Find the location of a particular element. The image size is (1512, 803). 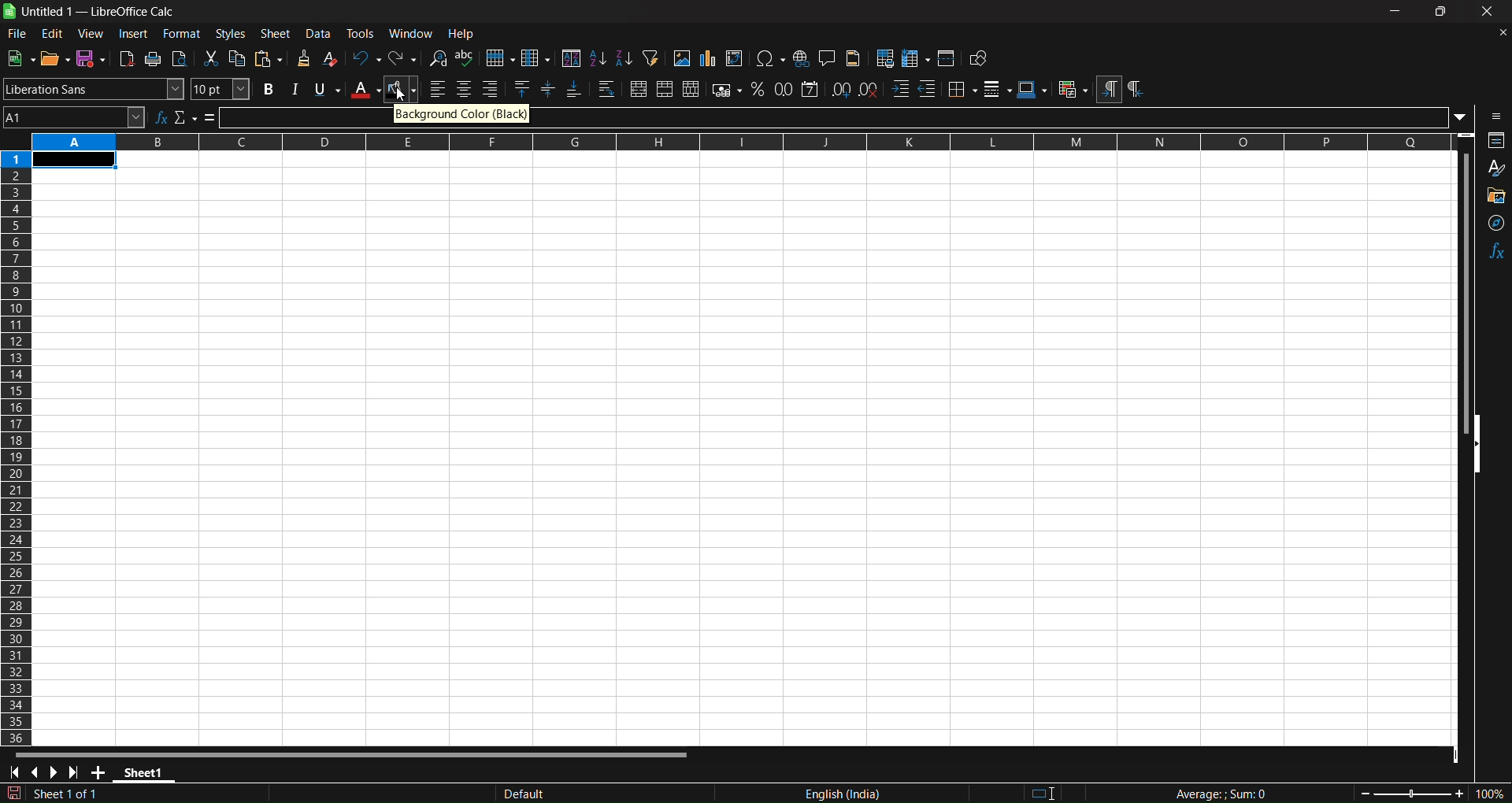

decrease indent is located at coordinates (928, 89).